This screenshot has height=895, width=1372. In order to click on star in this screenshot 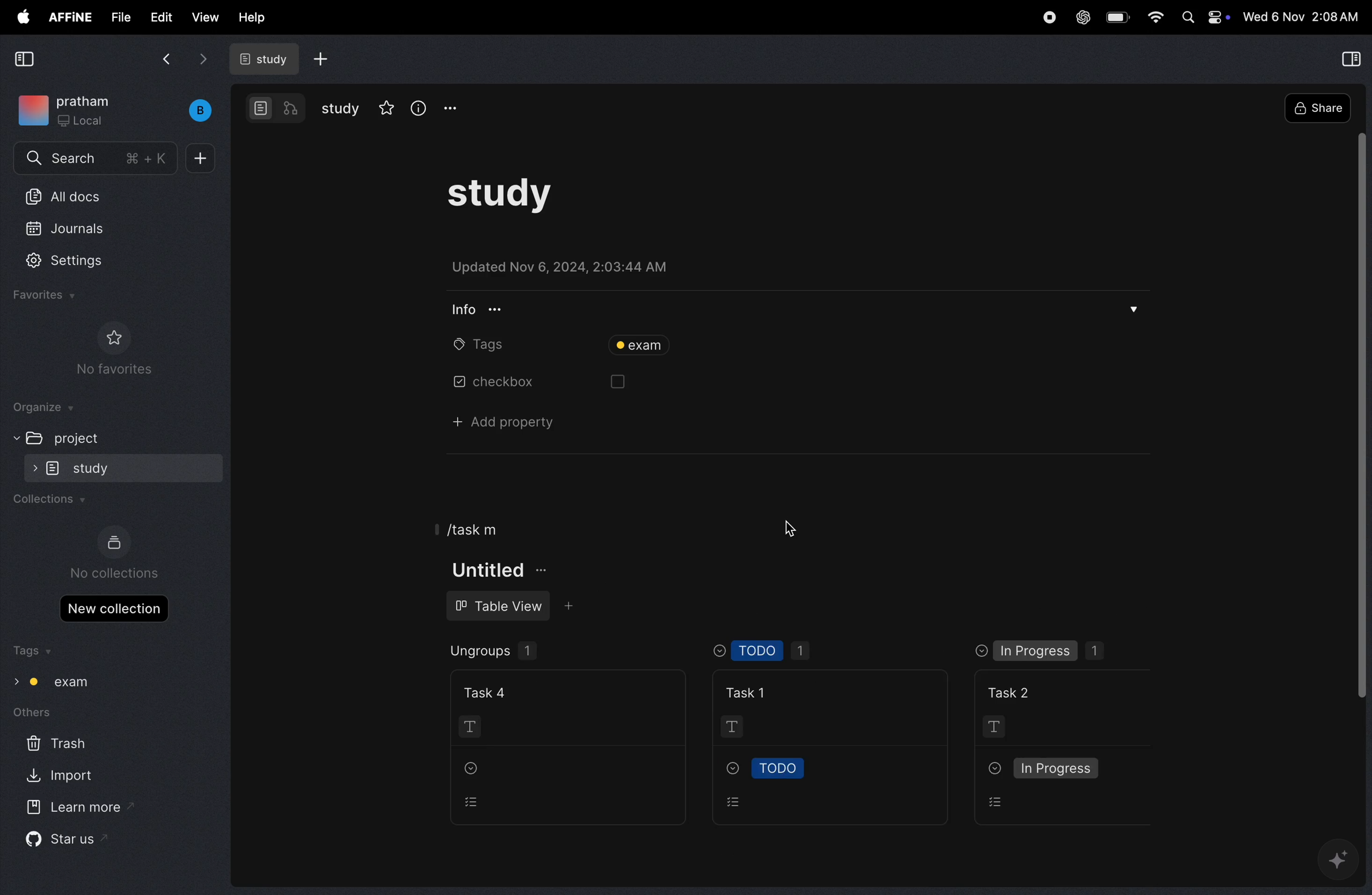, I will do `click(383, 108)`.